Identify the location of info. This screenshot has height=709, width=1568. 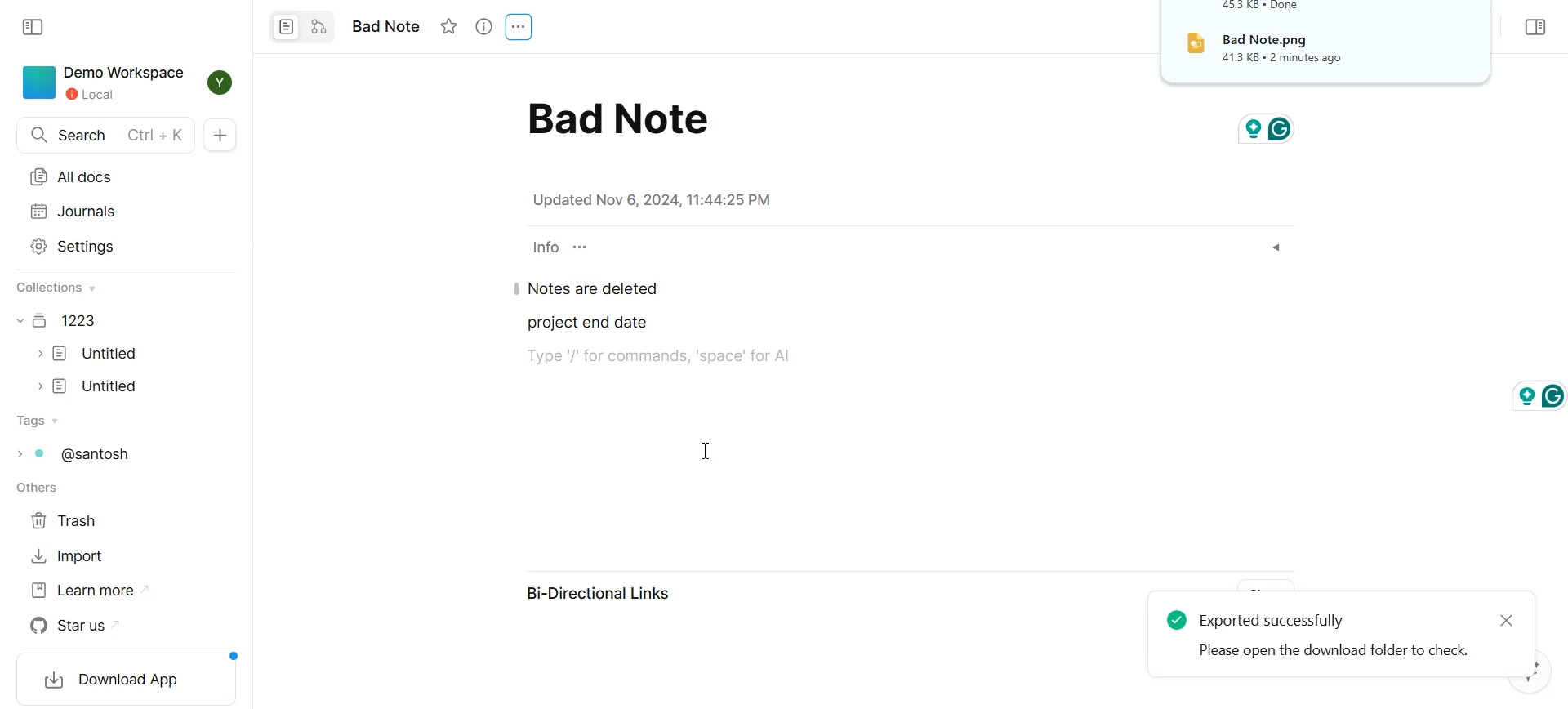
(544, 247).